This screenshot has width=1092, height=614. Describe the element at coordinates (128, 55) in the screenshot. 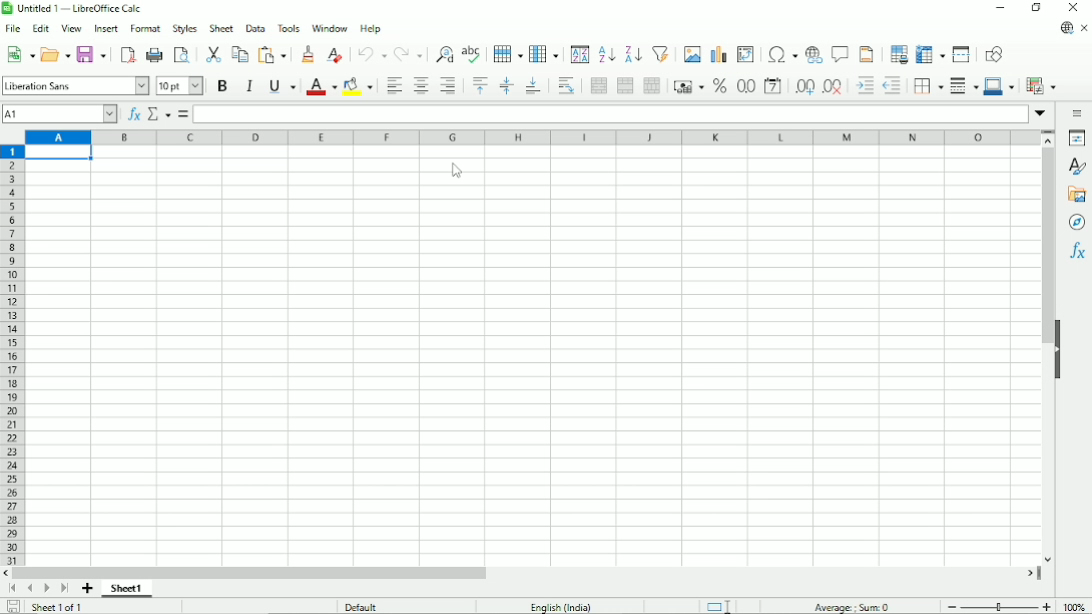

I see `Export directly as PDF` at that location.